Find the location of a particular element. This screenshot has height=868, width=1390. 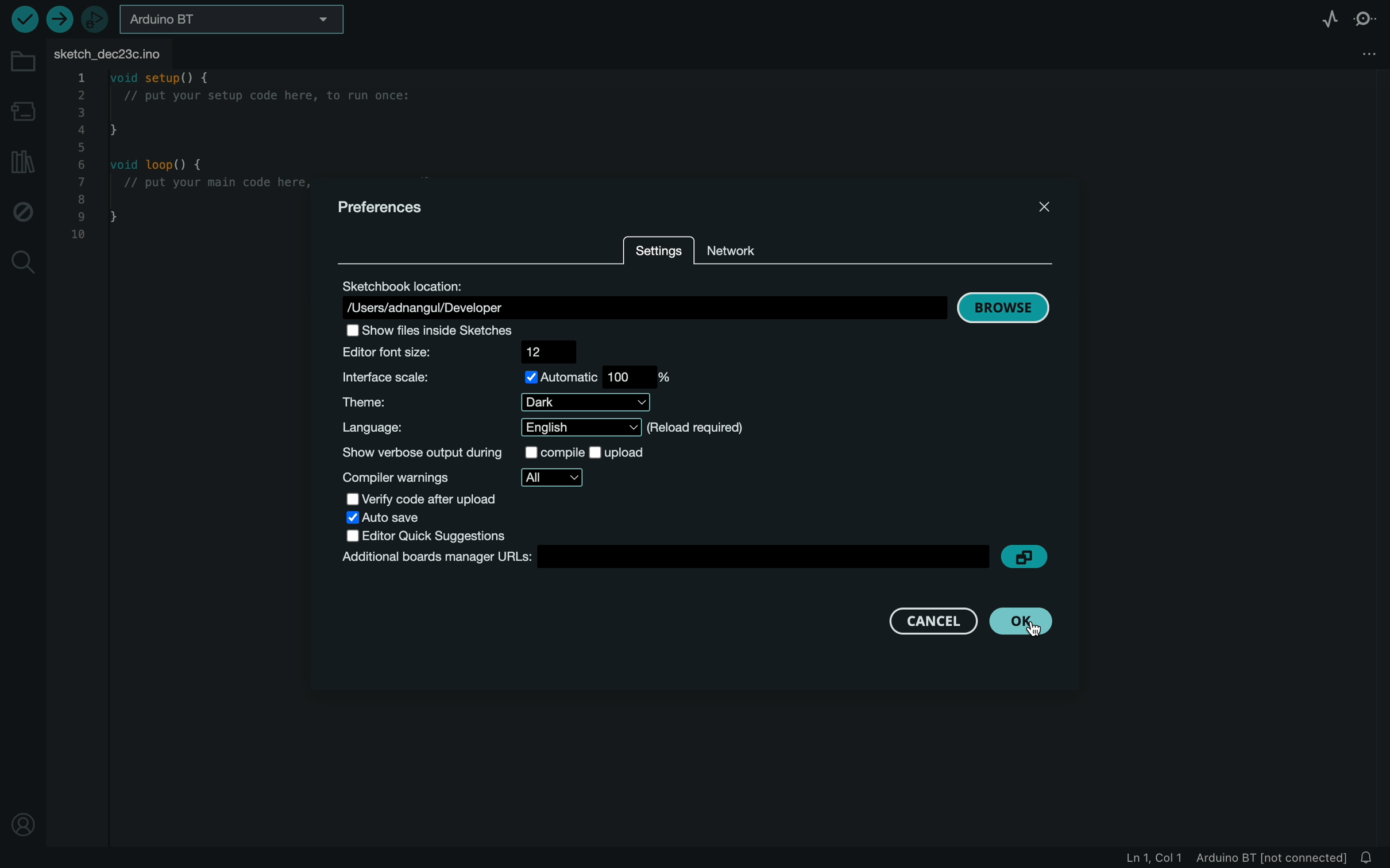

theme is located at coordinates (491, 402).